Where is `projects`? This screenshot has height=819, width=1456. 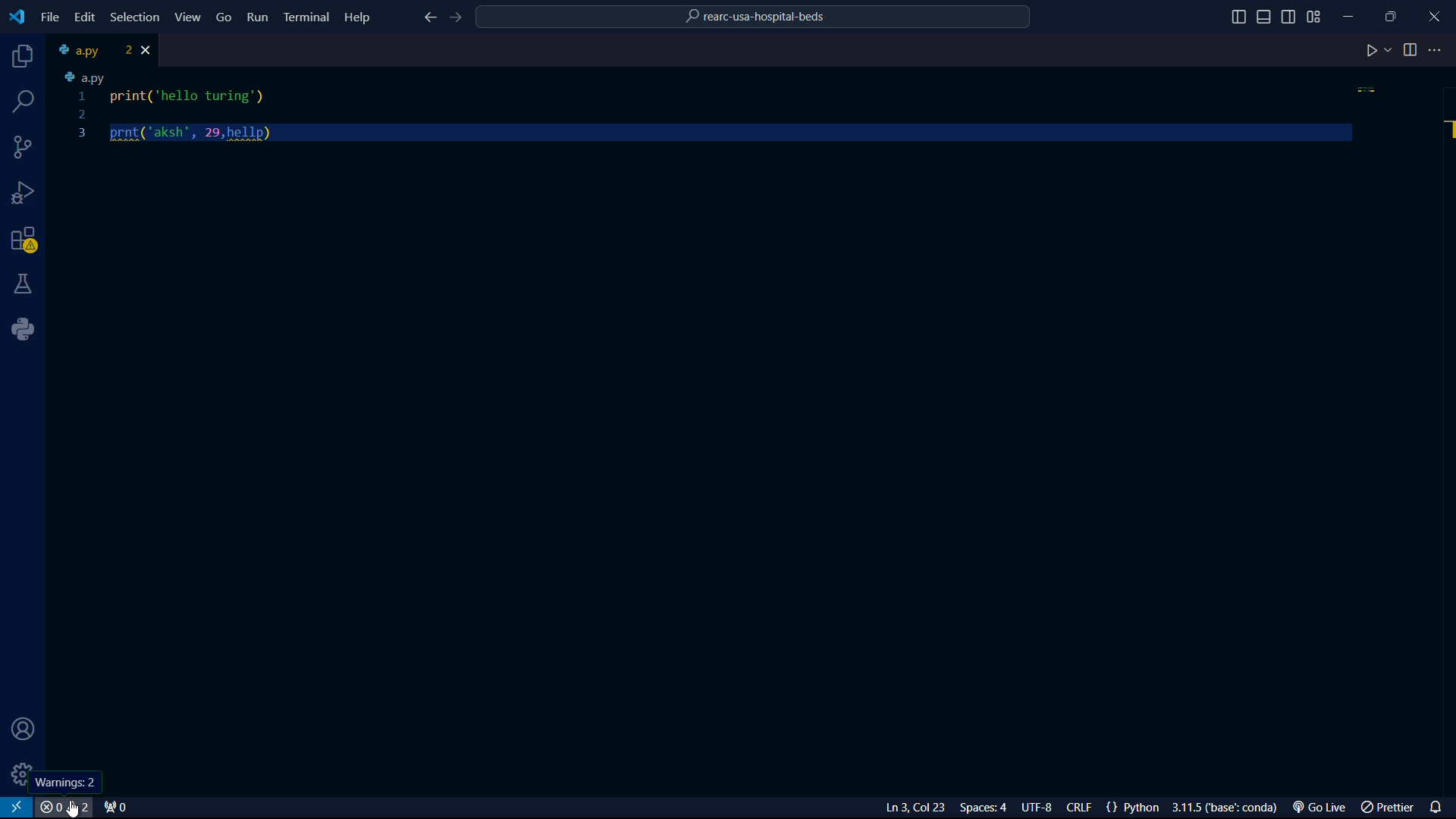
projects is located at coordinates (20, 58).